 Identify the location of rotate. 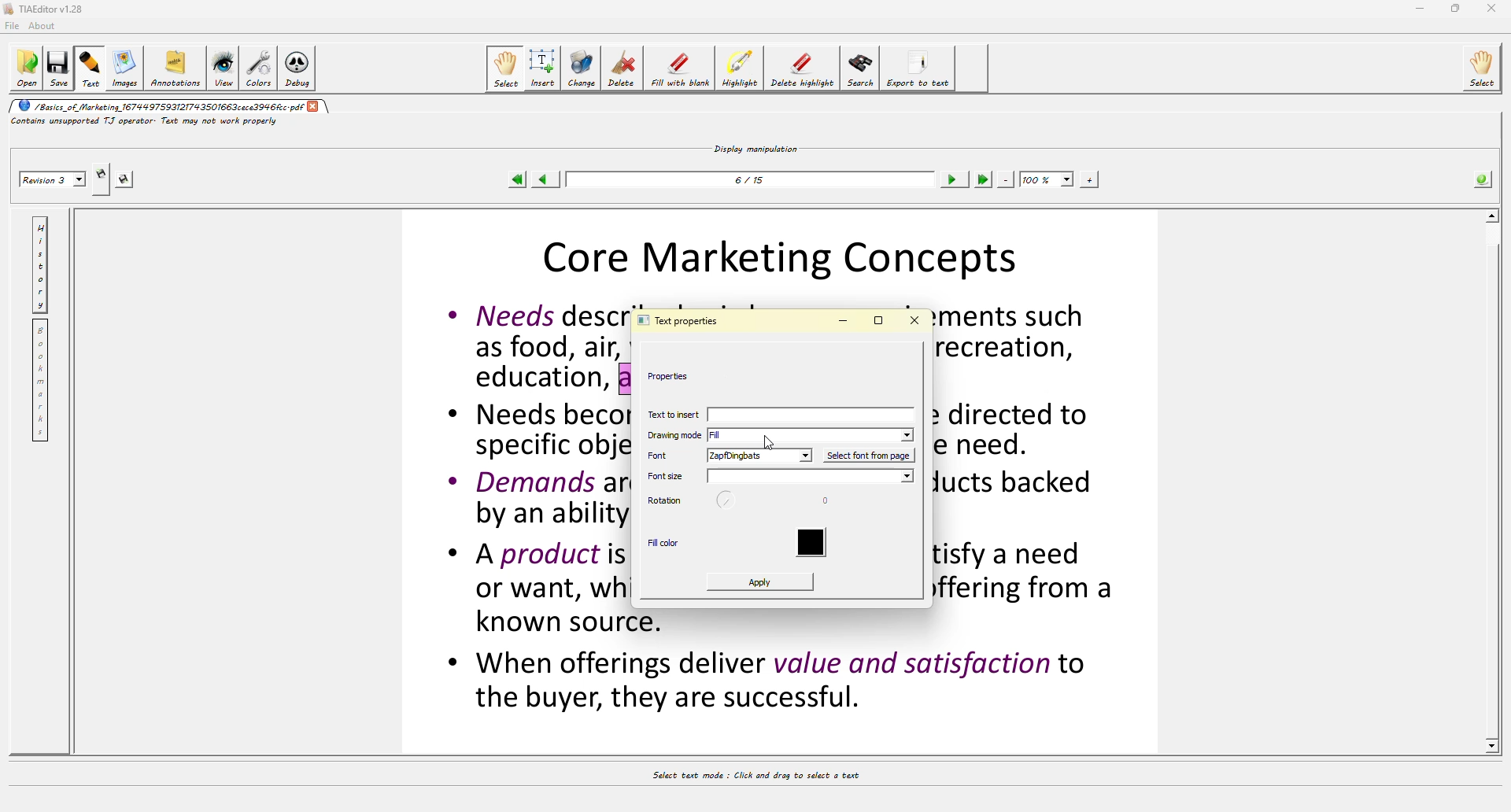
(726, 501).